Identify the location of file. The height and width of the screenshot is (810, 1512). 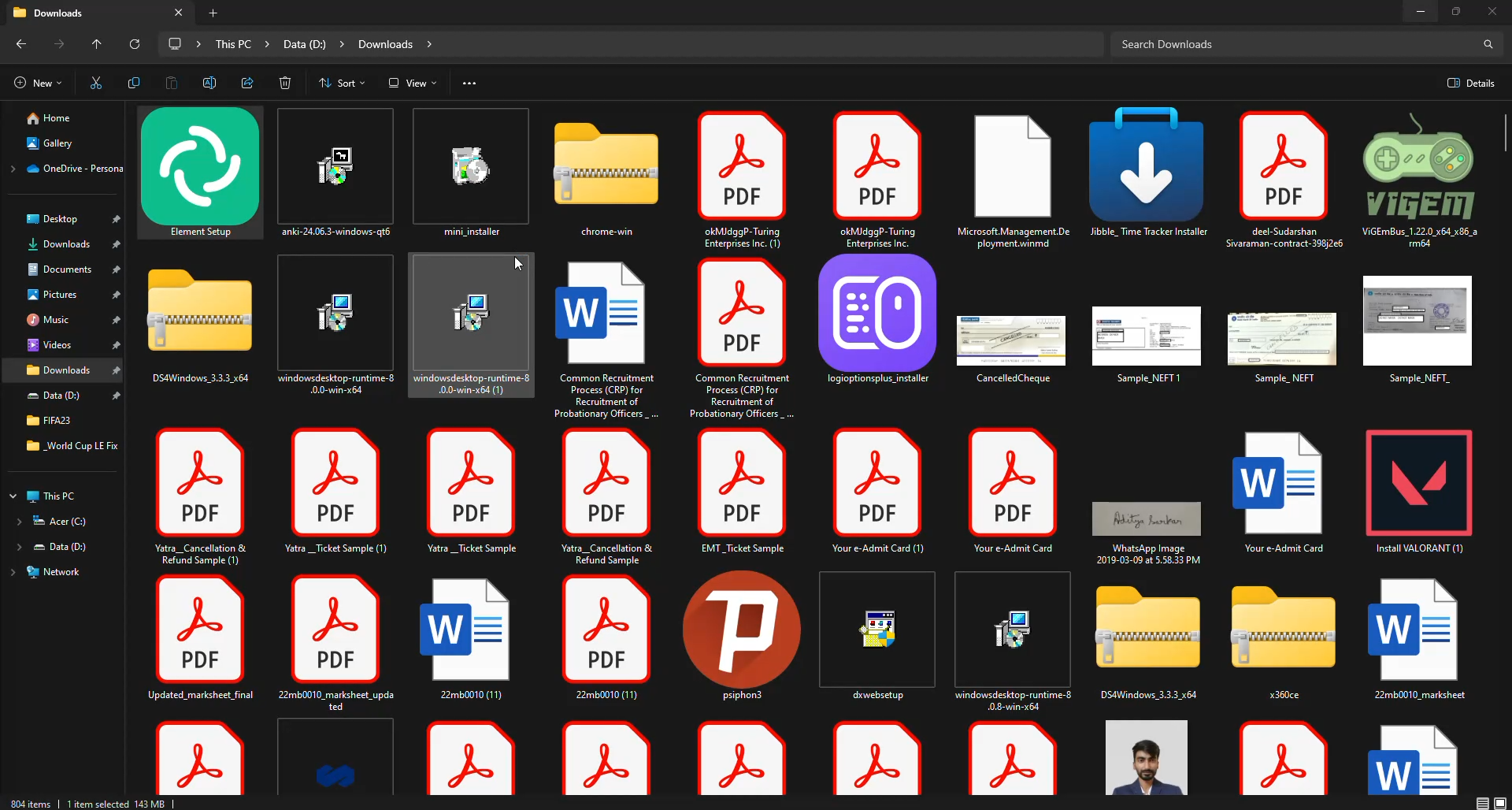
(1020, 351).